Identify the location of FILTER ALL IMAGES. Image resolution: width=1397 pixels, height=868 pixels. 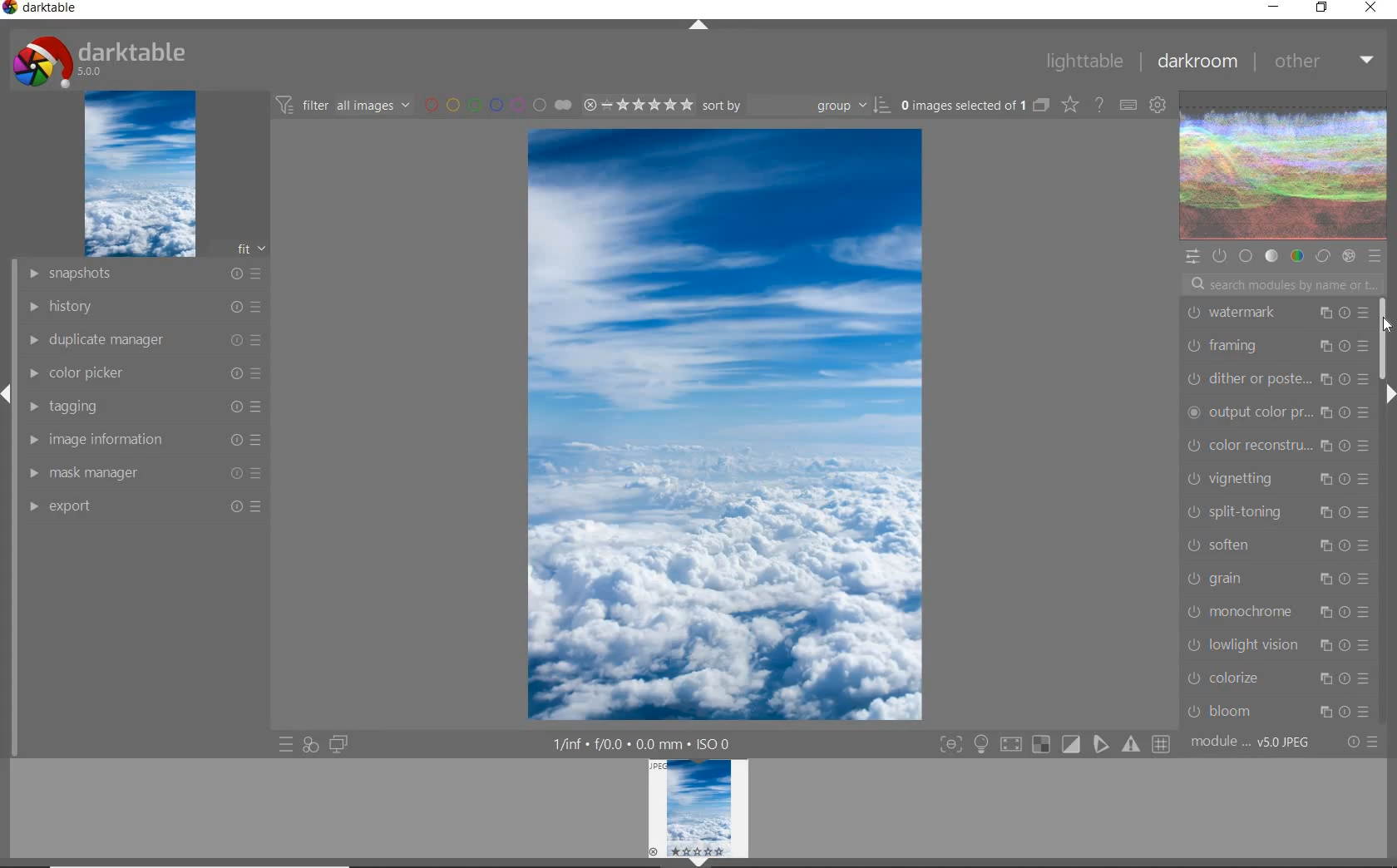
(342, 105).